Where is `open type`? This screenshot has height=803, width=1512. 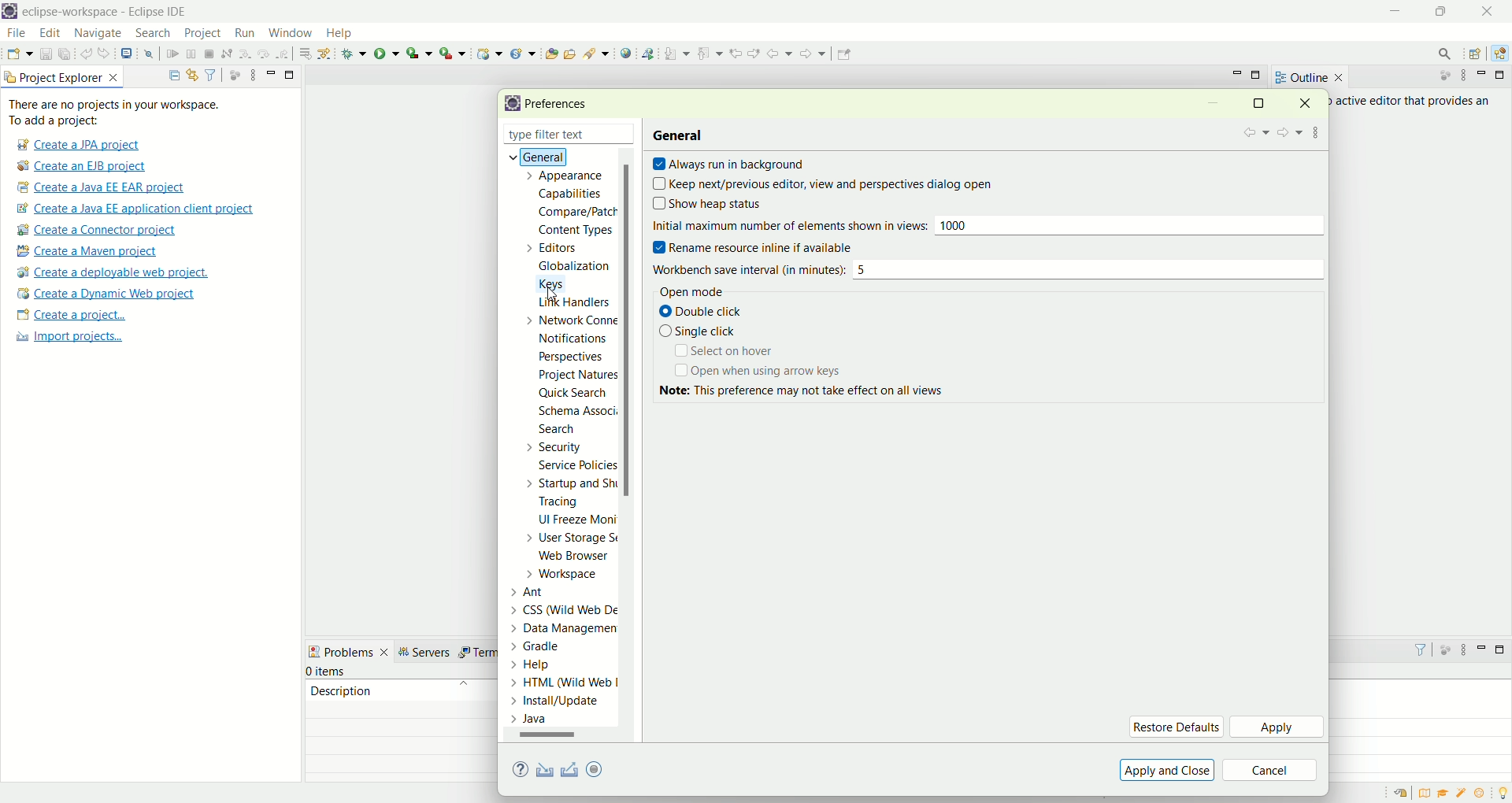 open type is located at coordinates (550, 53).